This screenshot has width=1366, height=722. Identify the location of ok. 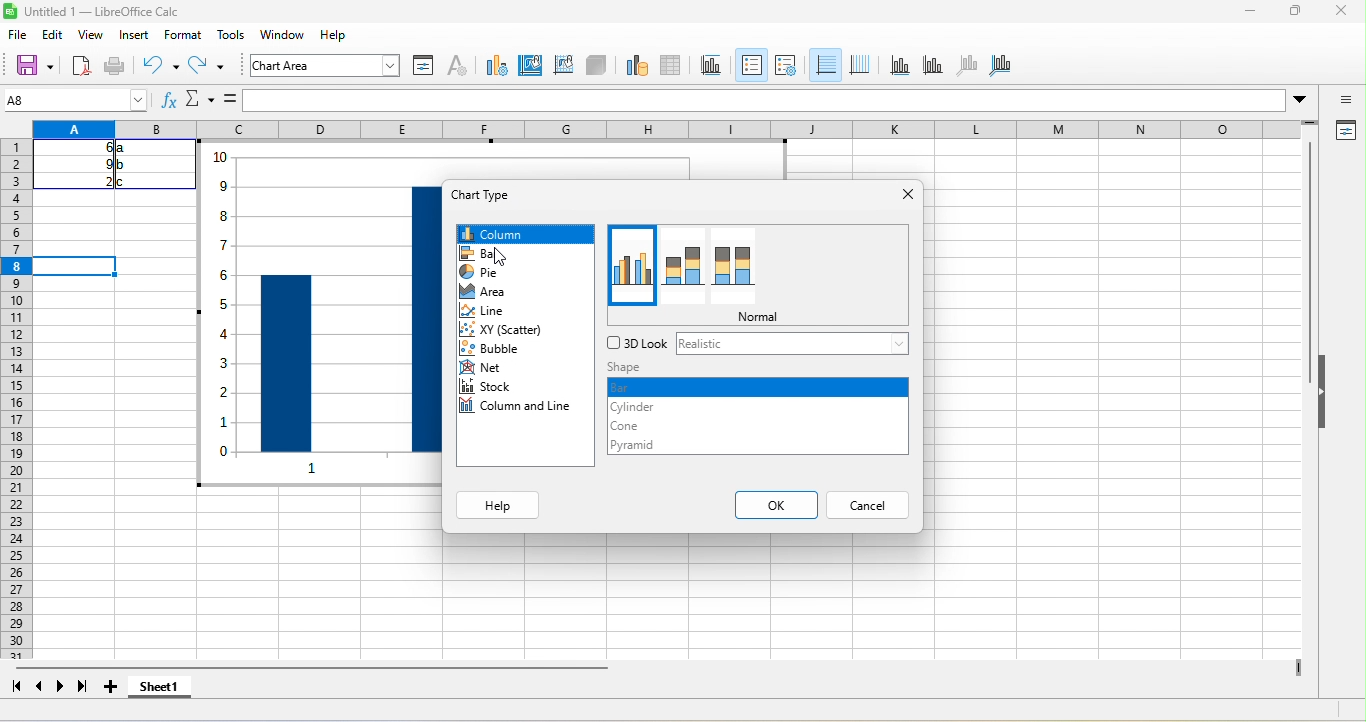
(774, 503).